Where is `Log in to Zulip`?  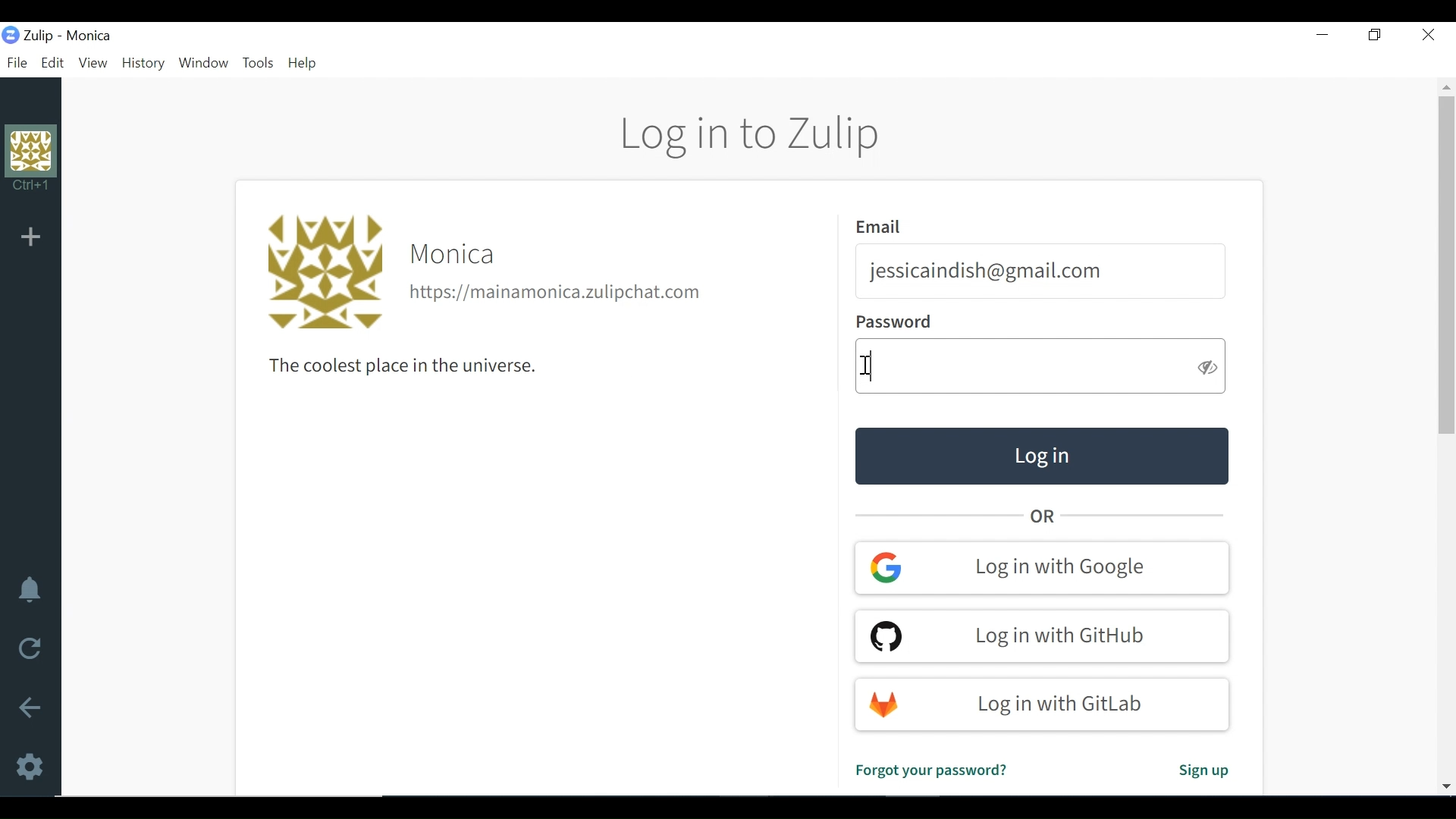 Log in to Zulip is located at coordinates (752, 136).